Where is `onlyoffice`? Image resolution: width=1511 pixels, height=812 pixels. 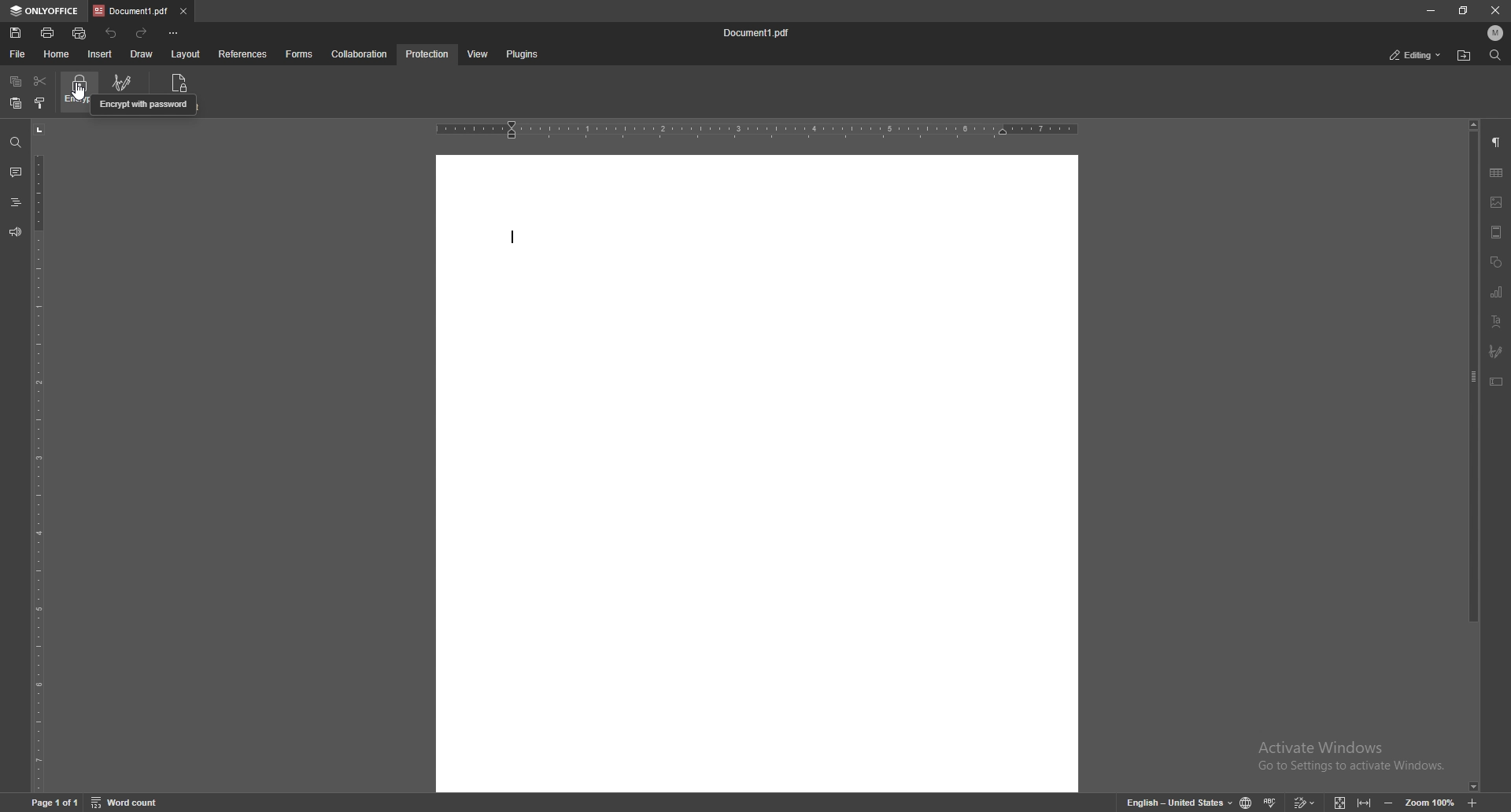
onlyoffice is located at coordinates (43, 11).